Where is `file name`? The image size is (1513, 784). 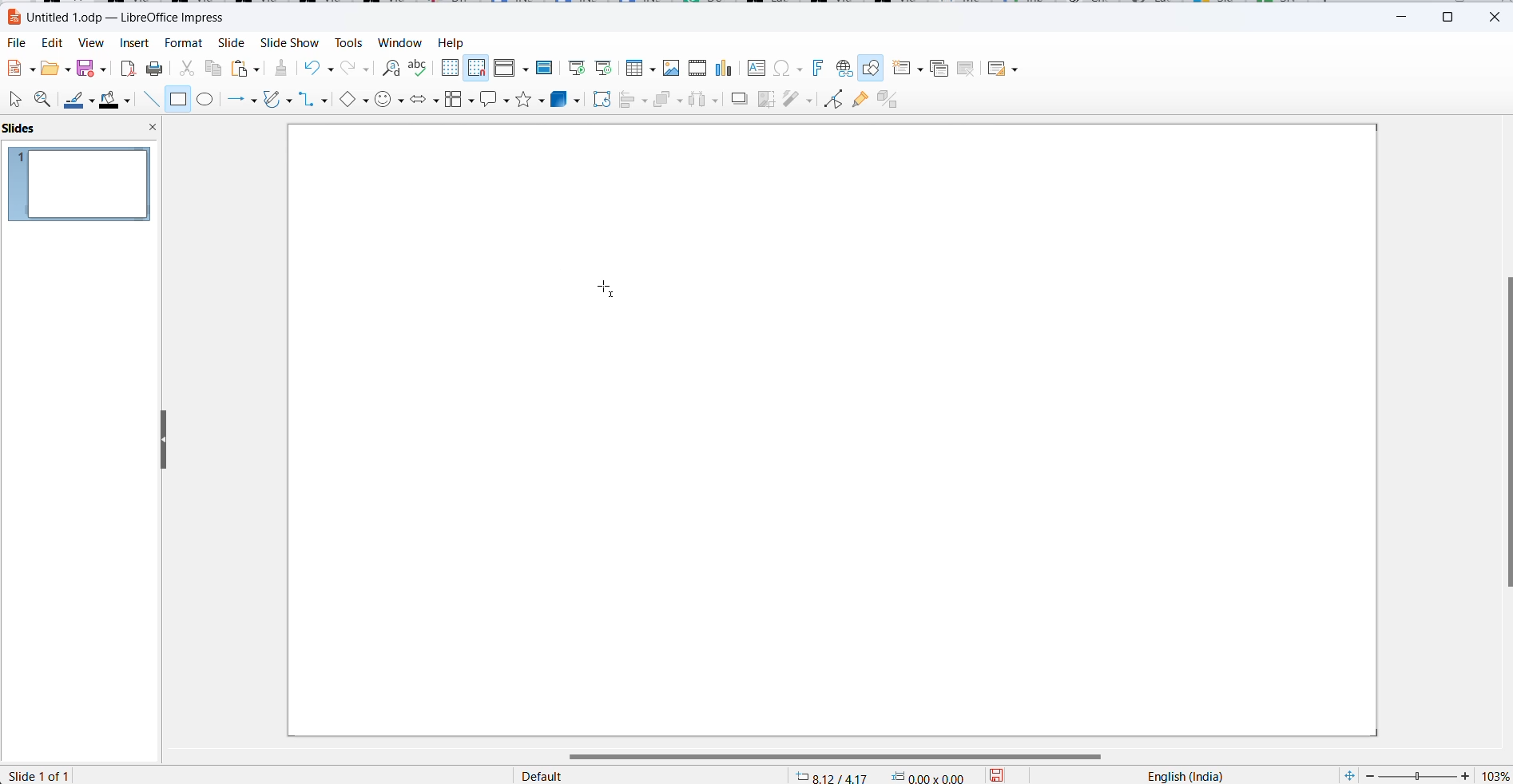
file name is located at coordinates (117, 16).